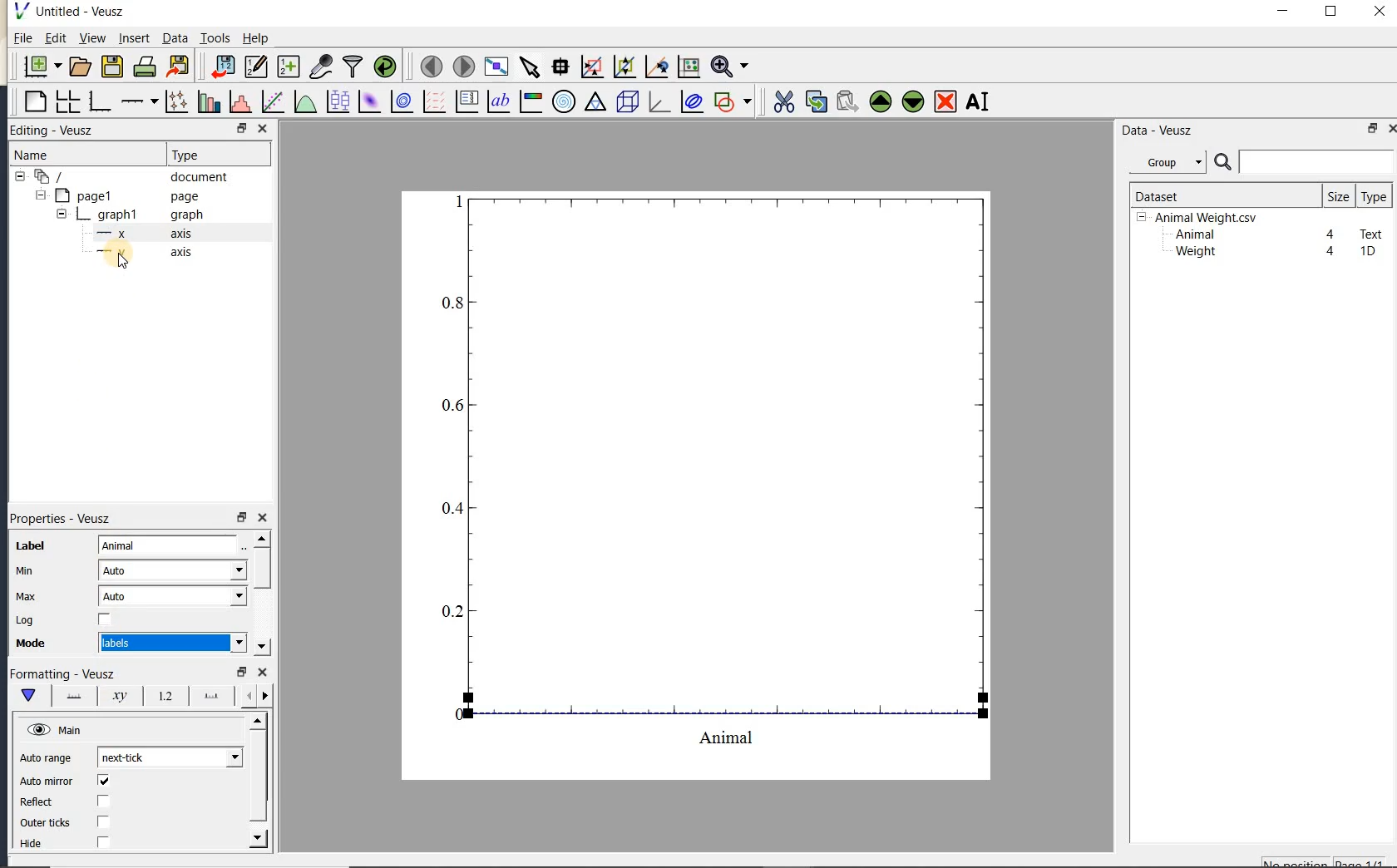 The image size is (1397, 868). I want to click on check/uncheck, so click(102, 841).